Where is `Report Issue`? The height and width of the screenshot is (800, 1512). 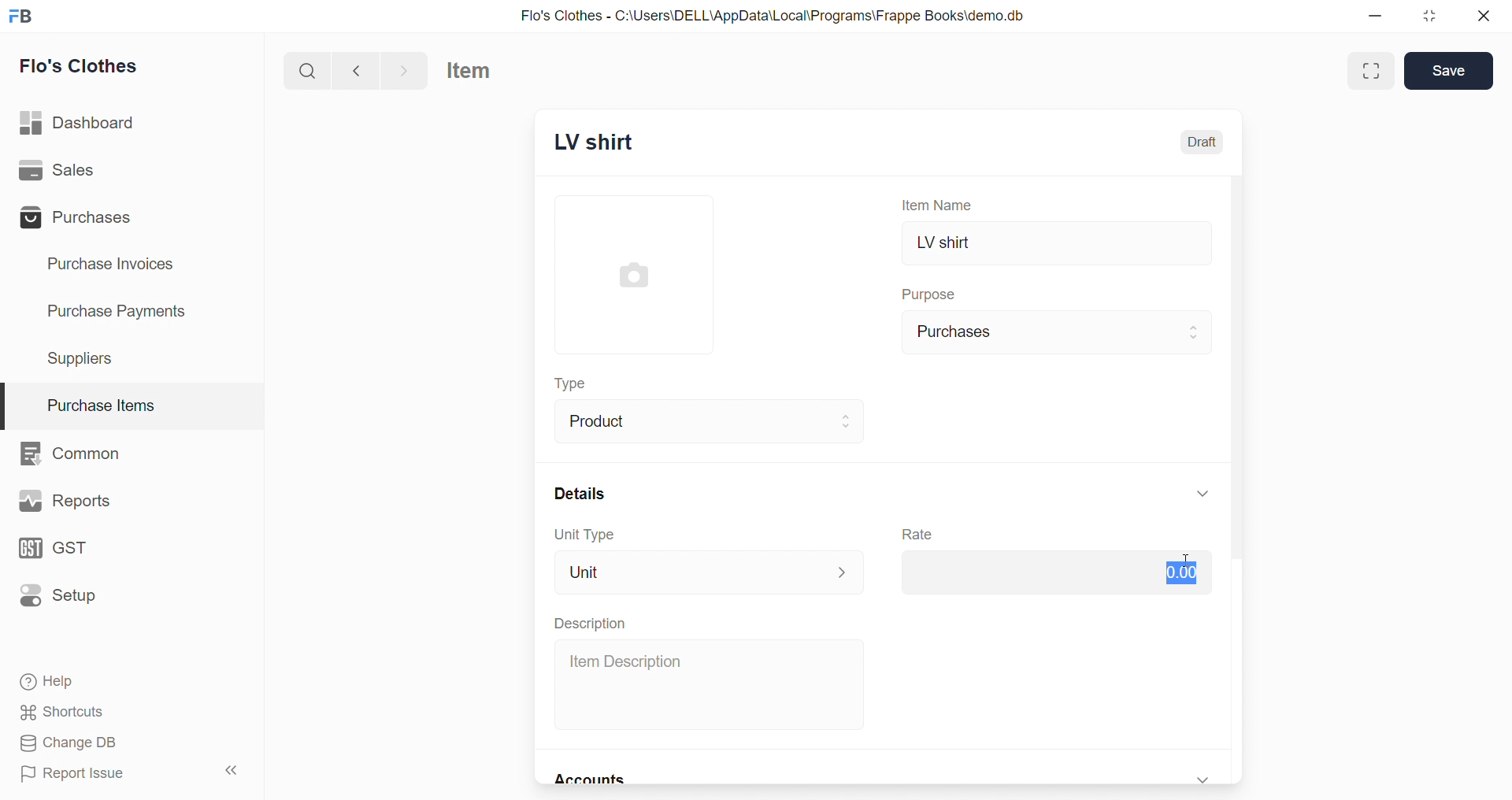
Report Issue is located at coordinates (98, 772).